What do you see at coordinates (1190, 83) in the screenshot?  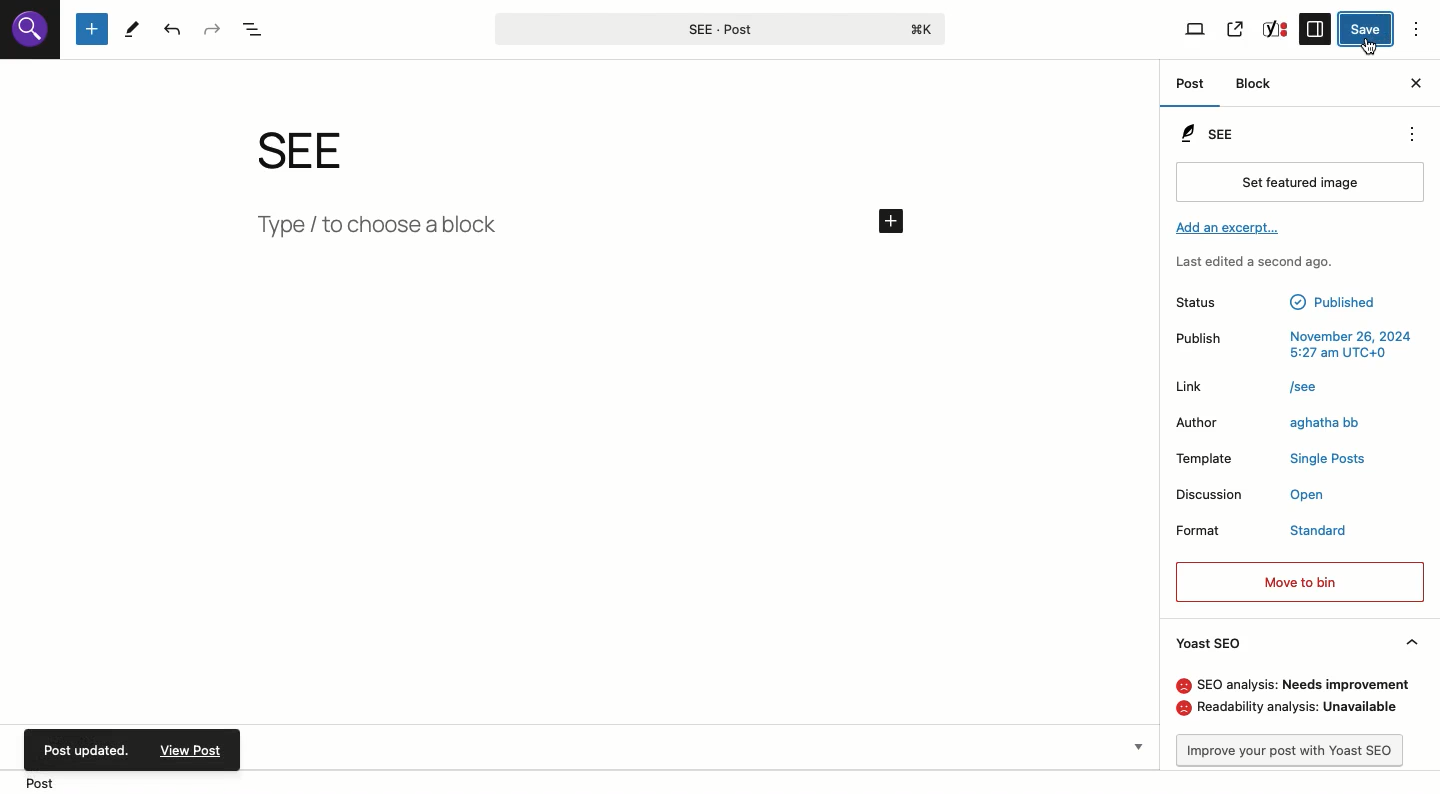 I see `Post` at bounding box center [1190, 83].